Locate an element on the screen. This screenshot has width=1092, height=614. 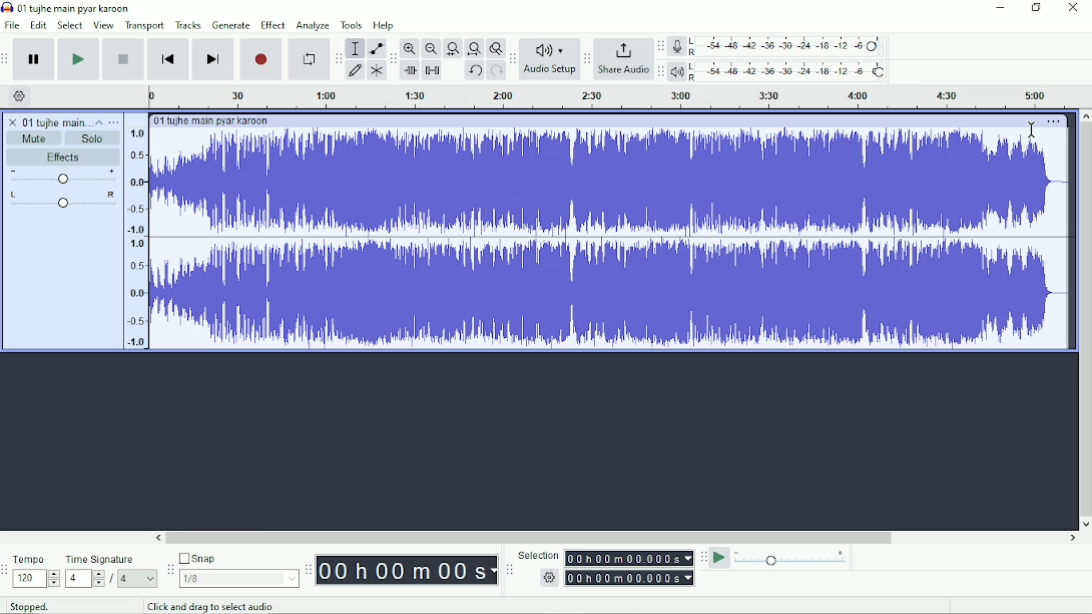
Select is located at coordinates (71, 26).